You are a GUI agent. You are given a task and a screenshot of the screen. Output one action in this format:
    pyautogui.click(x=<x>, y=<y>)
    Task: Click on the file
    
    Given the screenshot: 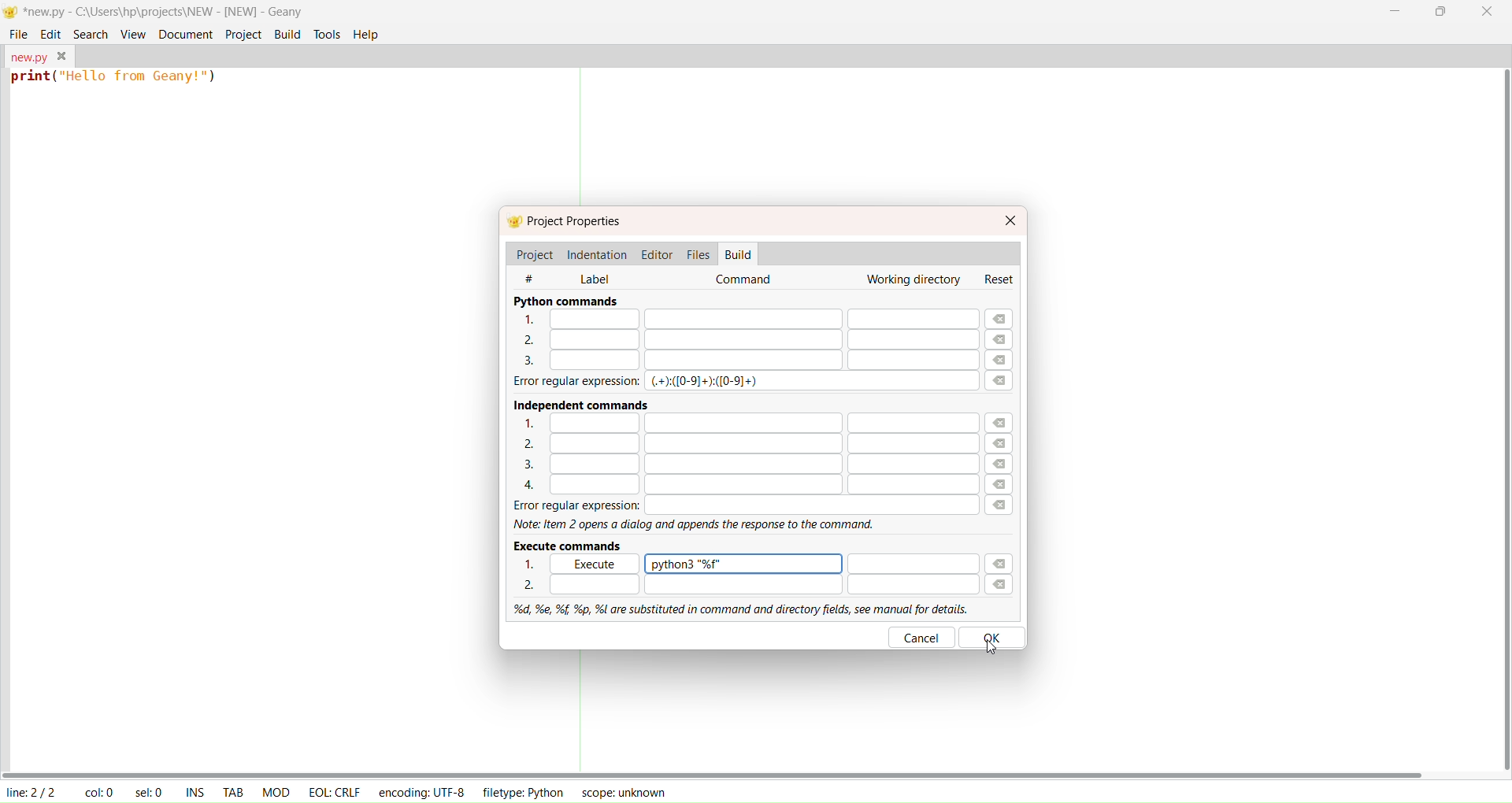 What is the action you would take?
    pyautogui.click(x=19, y=34)
    